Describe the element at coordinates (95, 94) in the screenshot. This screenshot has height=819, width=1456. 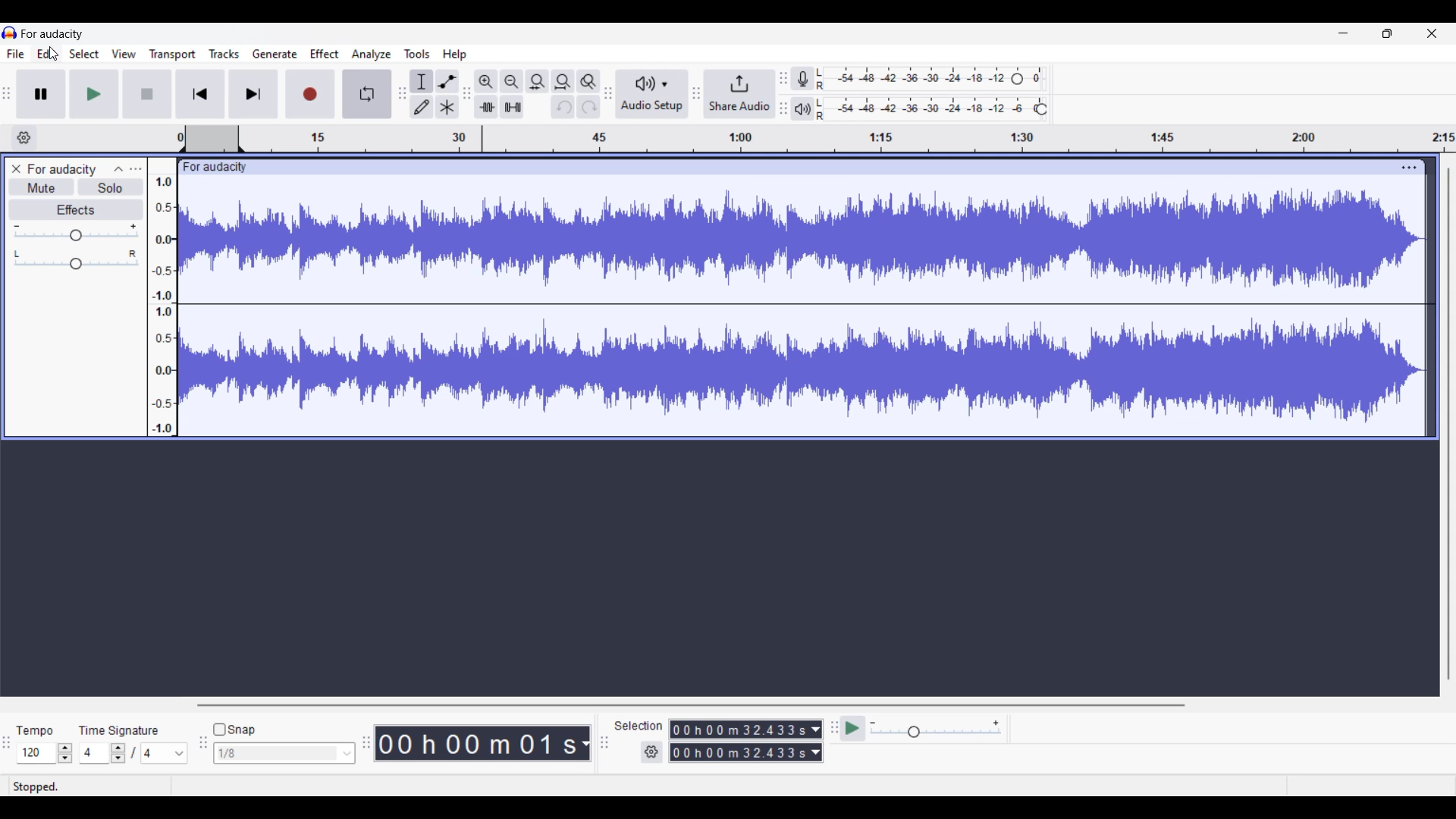
I see `Play/Play once` at that location.